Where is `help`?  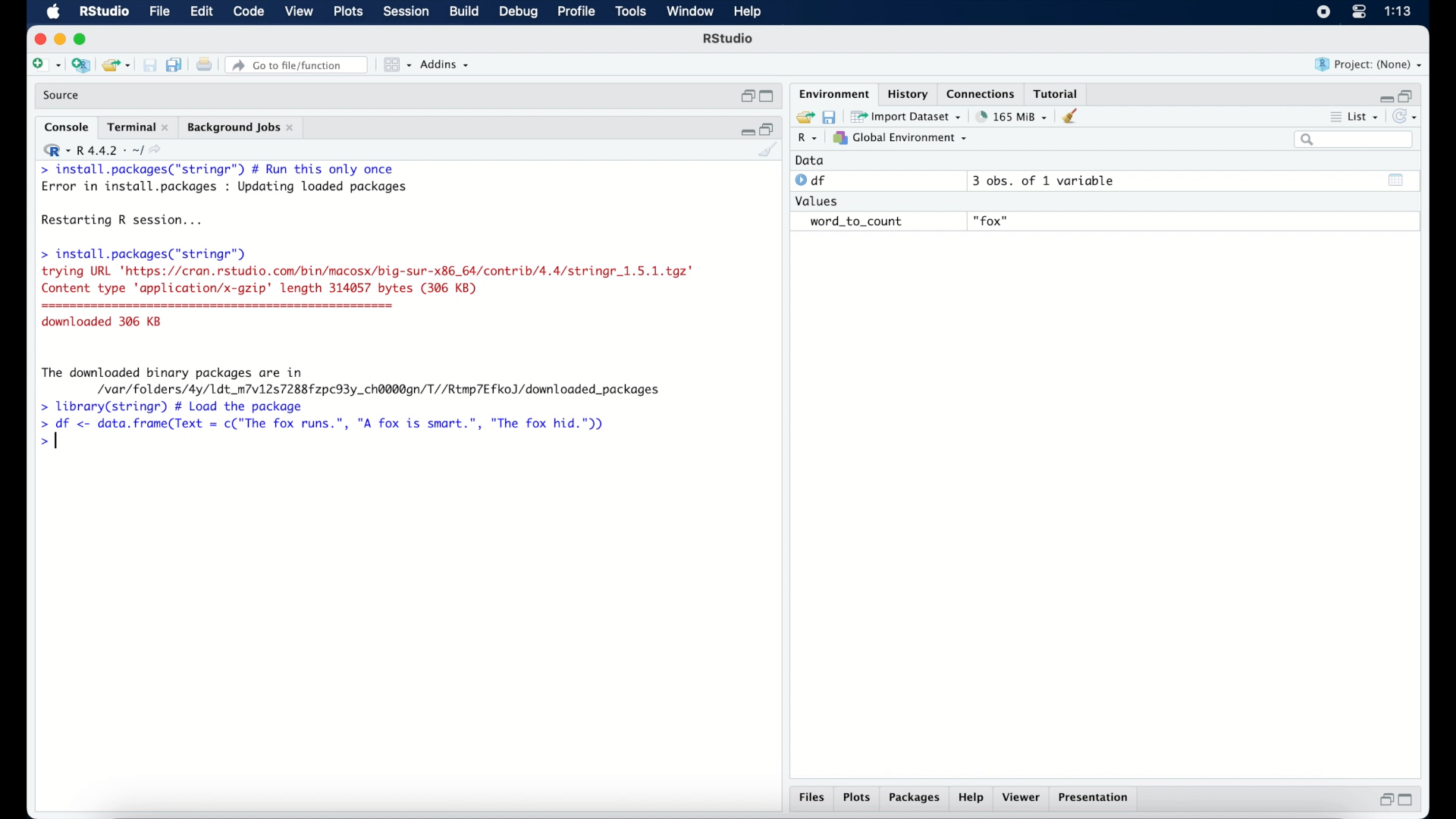
help is located at coordinates (973, 799).